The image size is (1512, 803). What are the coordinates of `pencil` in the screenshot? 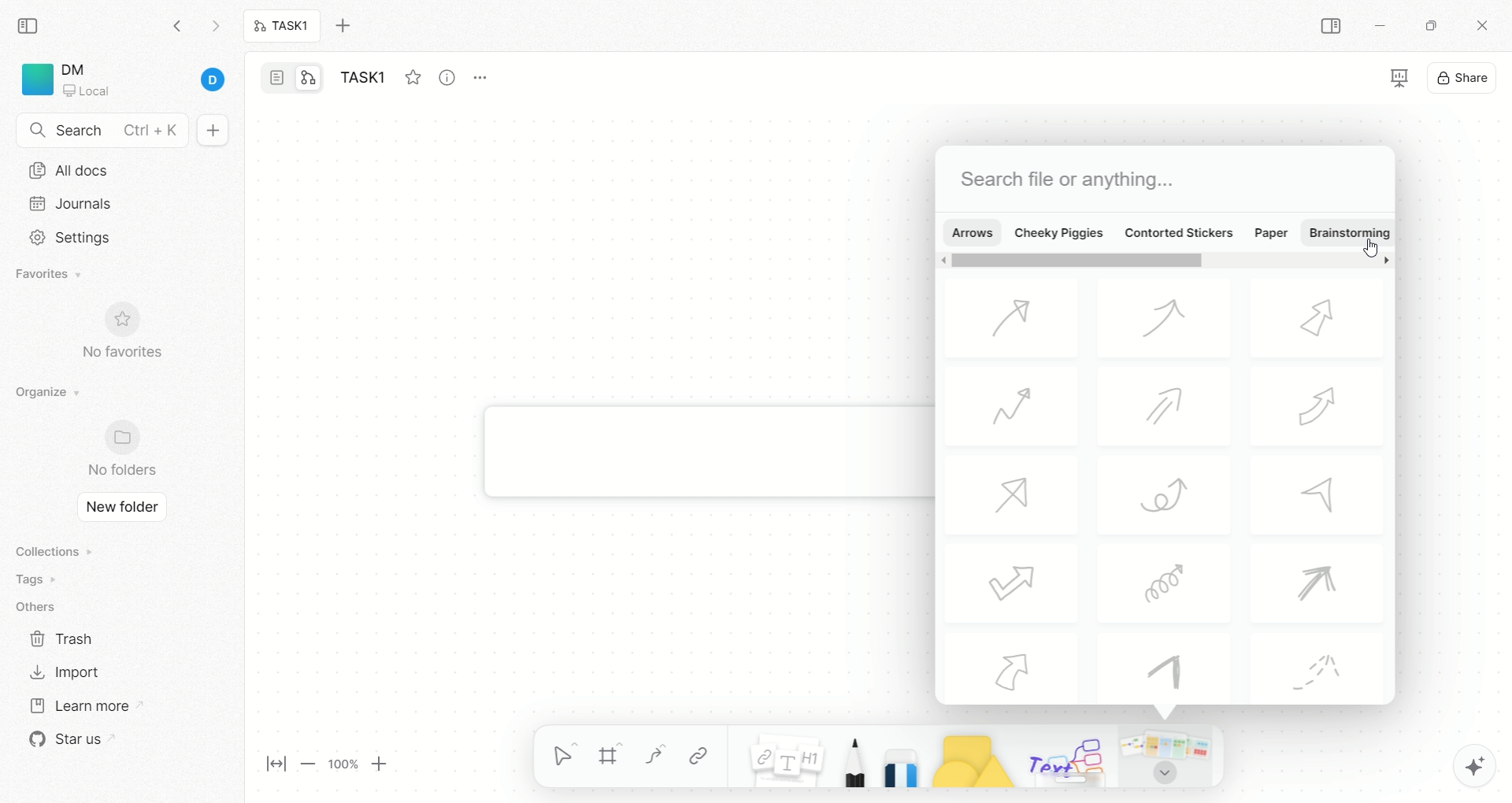 It's located at (850, 758).